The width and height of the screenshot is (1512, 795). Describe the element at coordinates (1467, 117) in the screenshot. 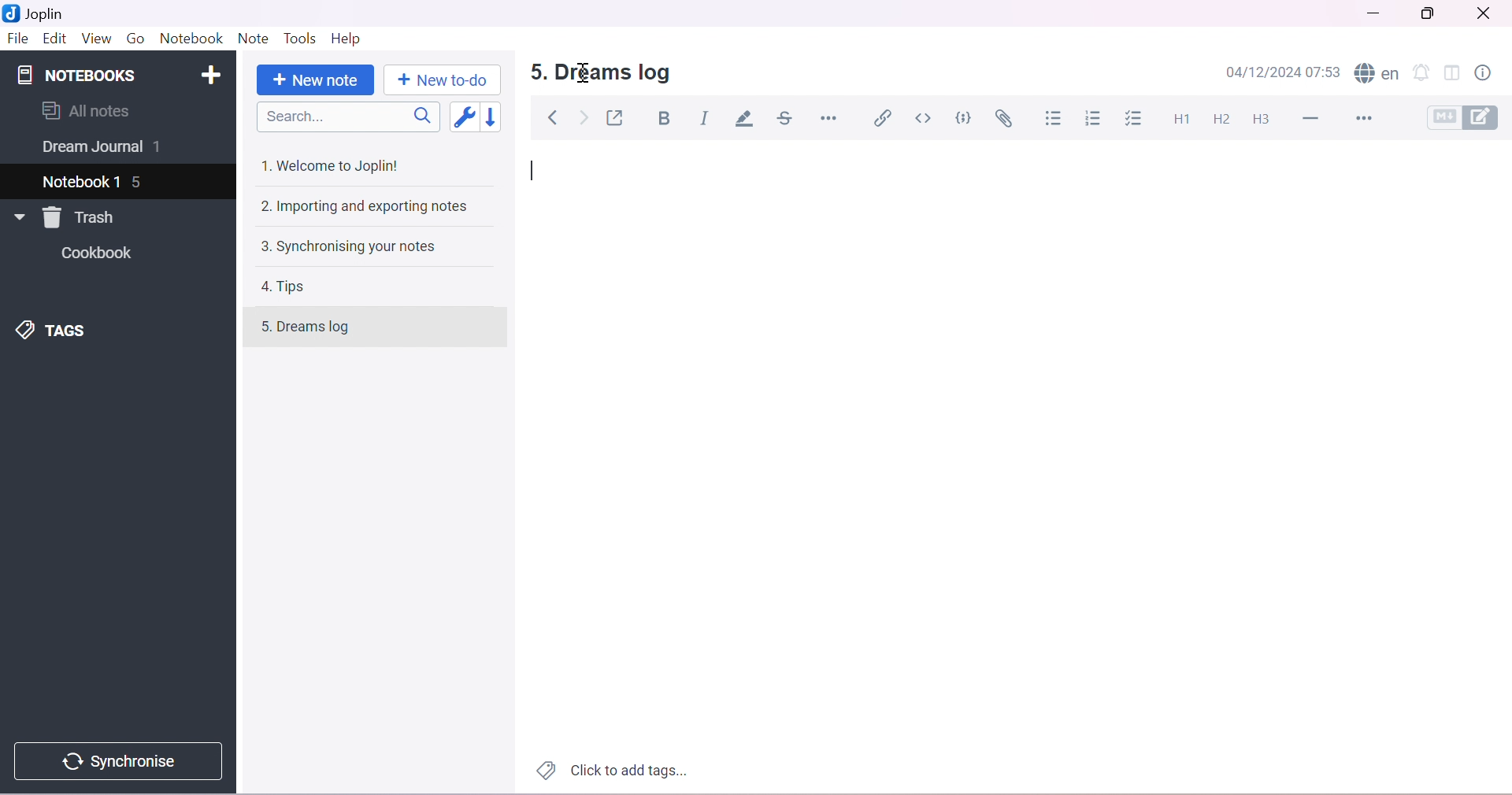

I see `Toggle editors` at that location.